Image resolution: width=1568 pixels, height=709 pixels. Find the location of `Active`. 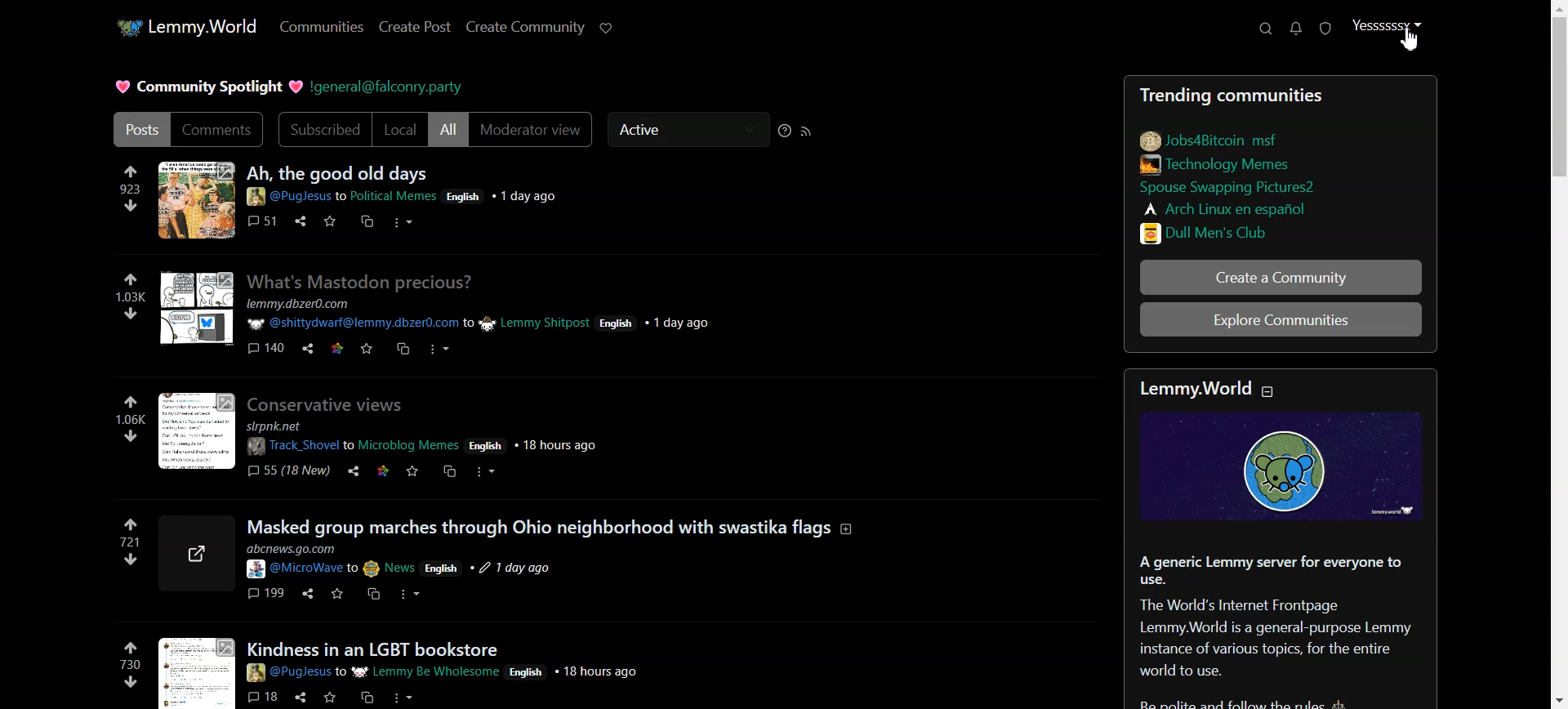

Active is located at coordinates (687, 131).